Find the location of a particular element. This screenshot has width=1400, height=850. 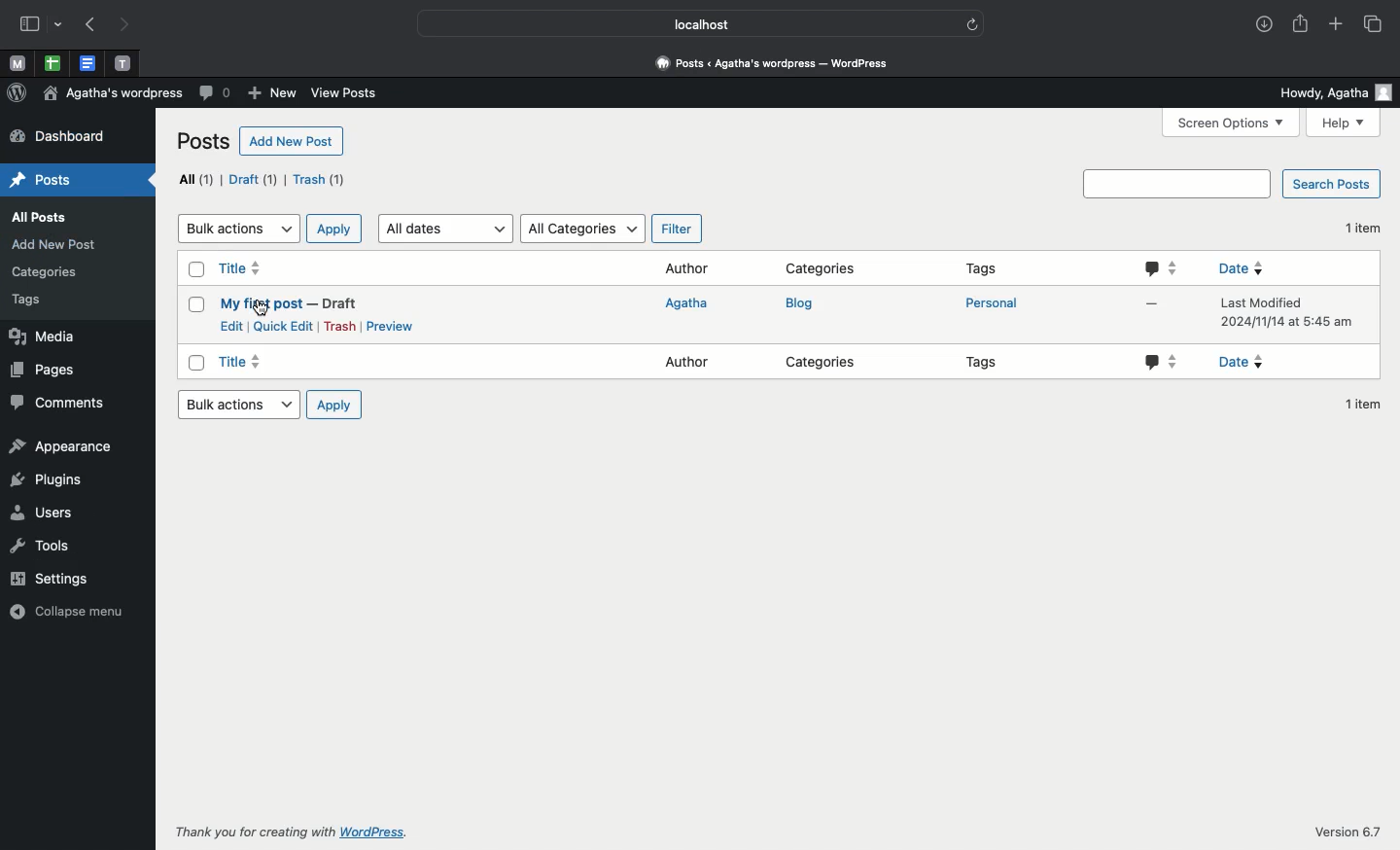

Tags is located at coordinates (986, 363).